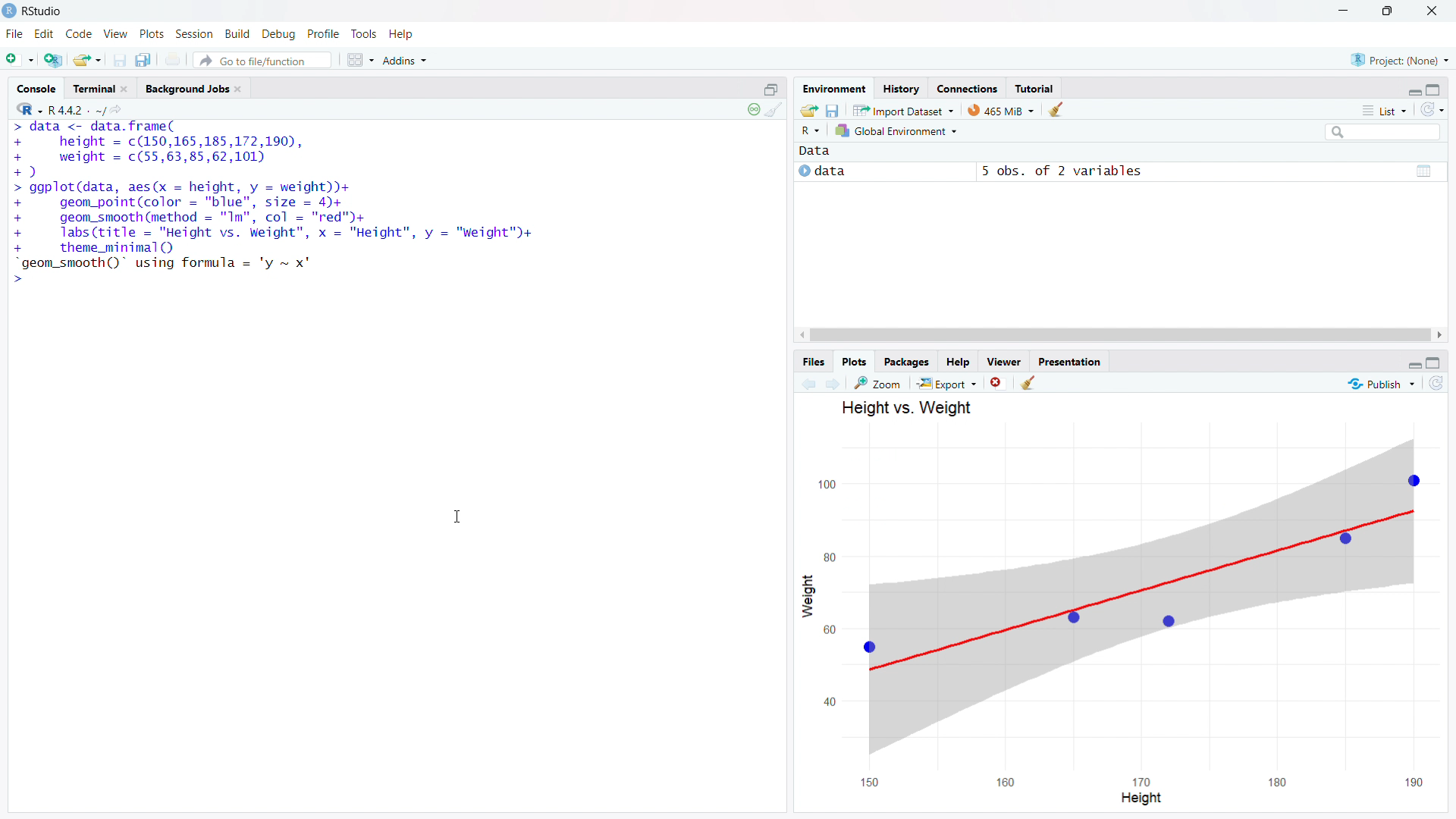 This screenshot has width=1456, height=819. Describe the element at coordinates (174, 59) in the screenshot. I see `print` at that location.